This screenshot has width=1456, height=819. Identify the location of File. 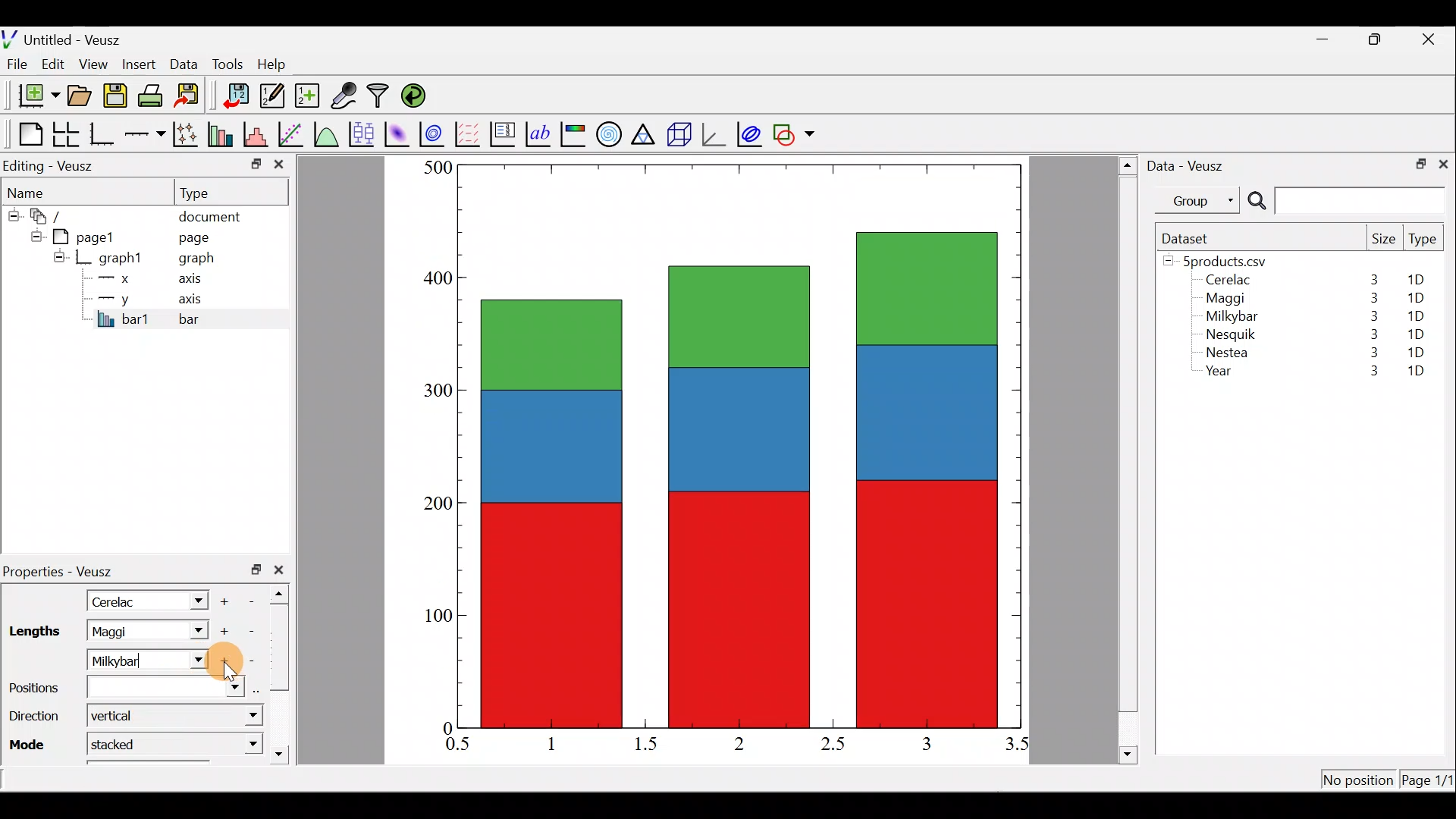
(14, 64).